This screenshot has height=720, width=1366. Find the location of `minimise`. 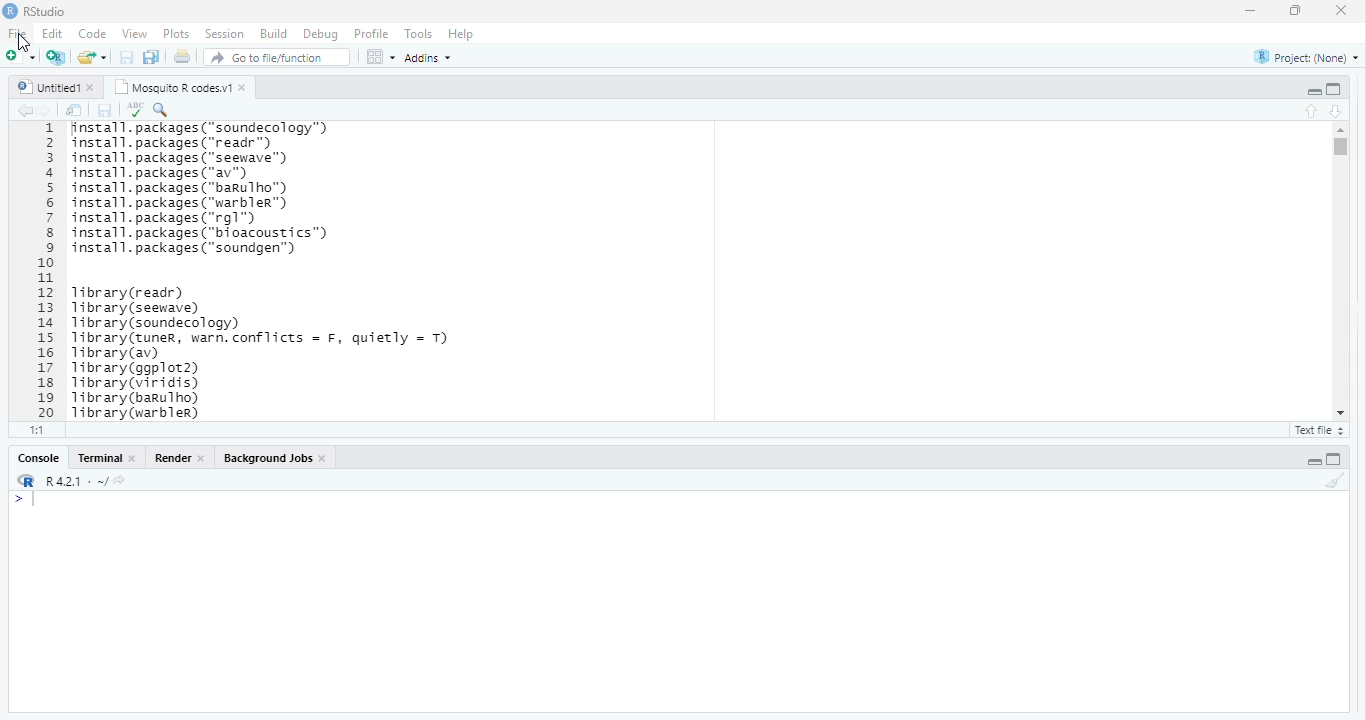

minimise is located at coordinates (1253, 10).